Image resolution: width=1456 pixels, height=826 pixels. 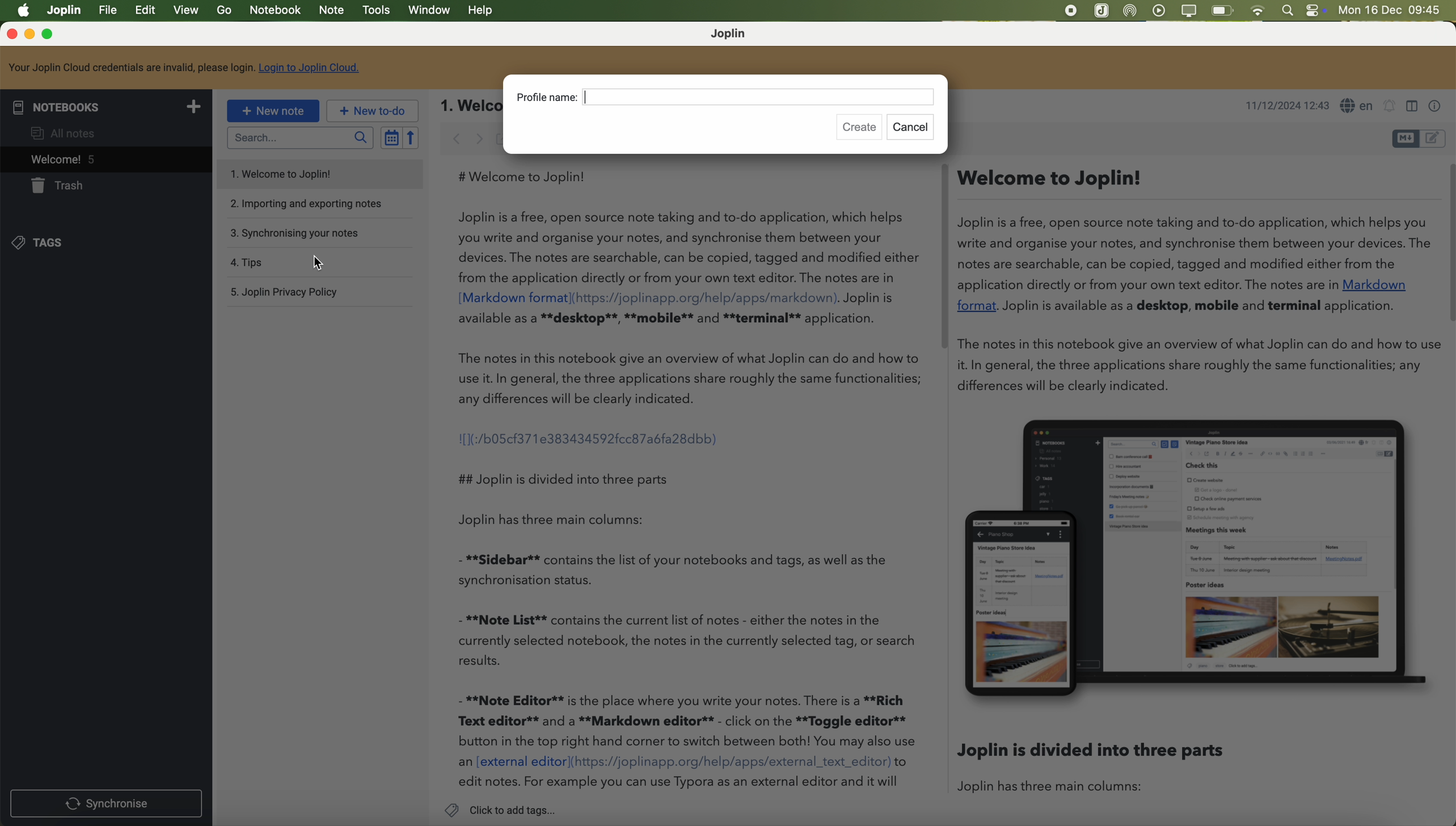 I want to click on note, so click(x=333, y=11).